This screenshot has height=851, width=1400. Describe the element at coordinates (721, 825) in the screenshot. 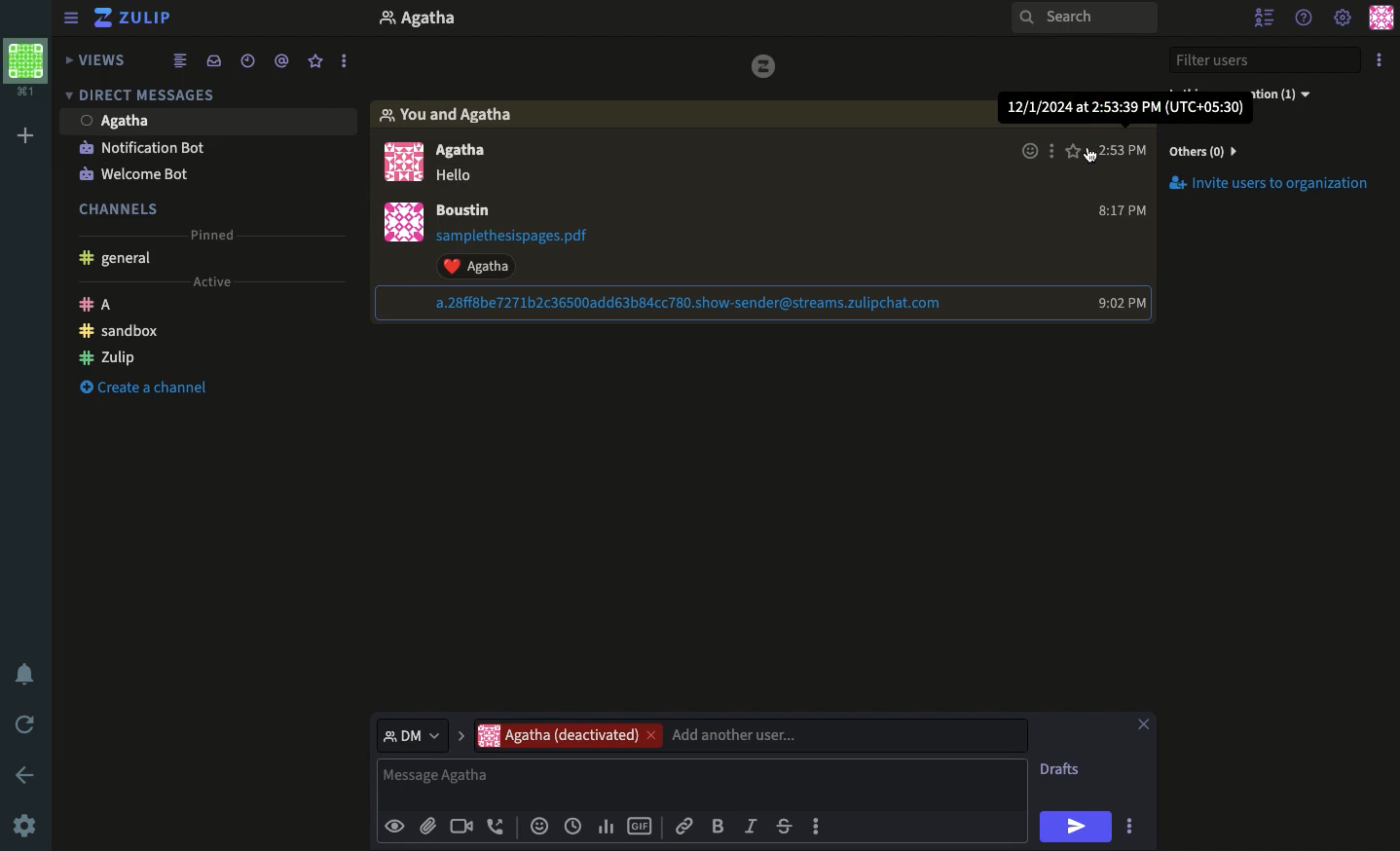

I see `Bold` at that location.